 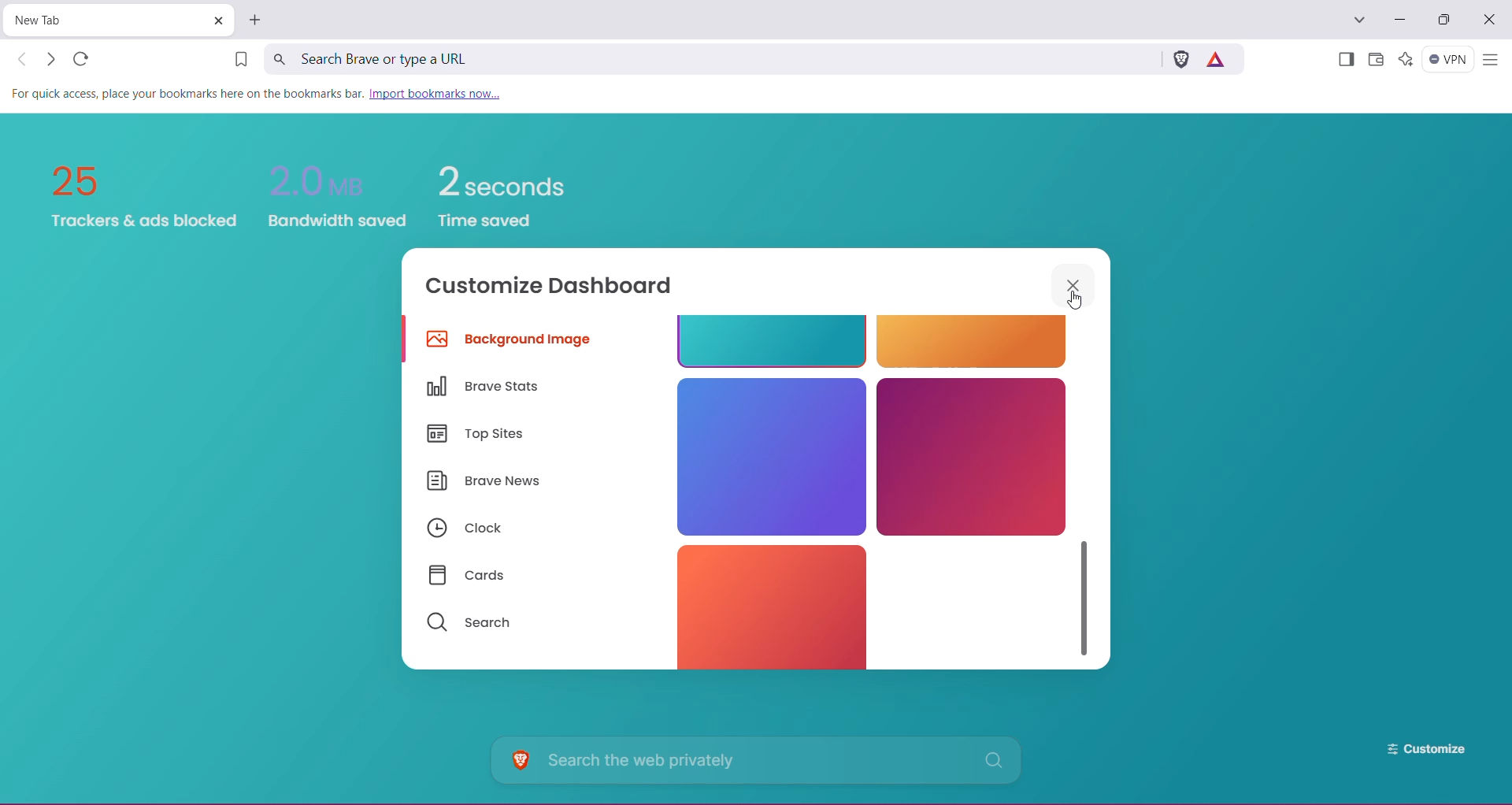 What do you see at coordinates (1414, 749) in the screenshot?
I see `Customize` at bounding box center [1414, 749].